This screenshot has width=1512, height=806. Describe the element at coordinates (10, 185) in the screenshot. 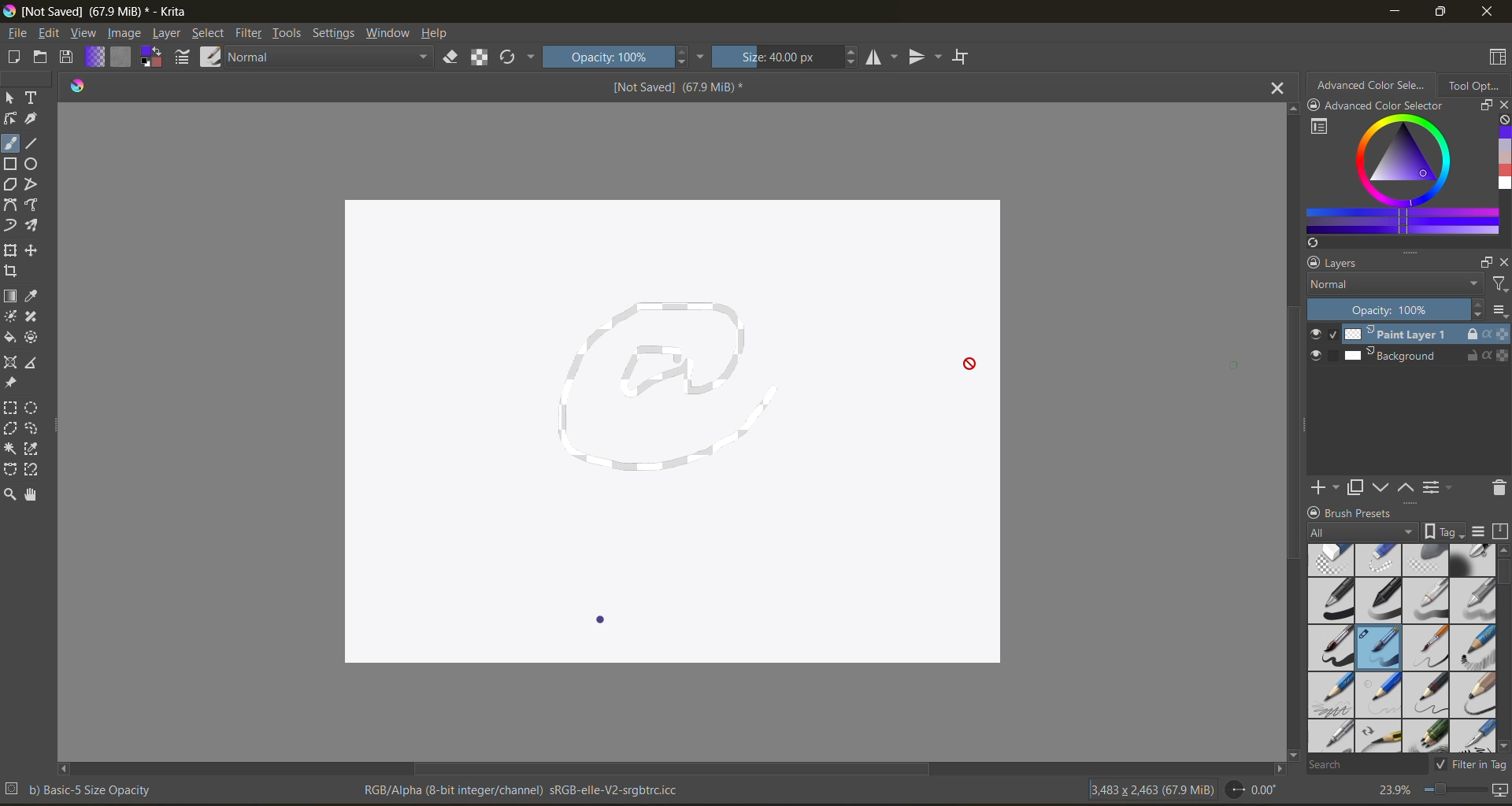

I see `polygon` at that location.